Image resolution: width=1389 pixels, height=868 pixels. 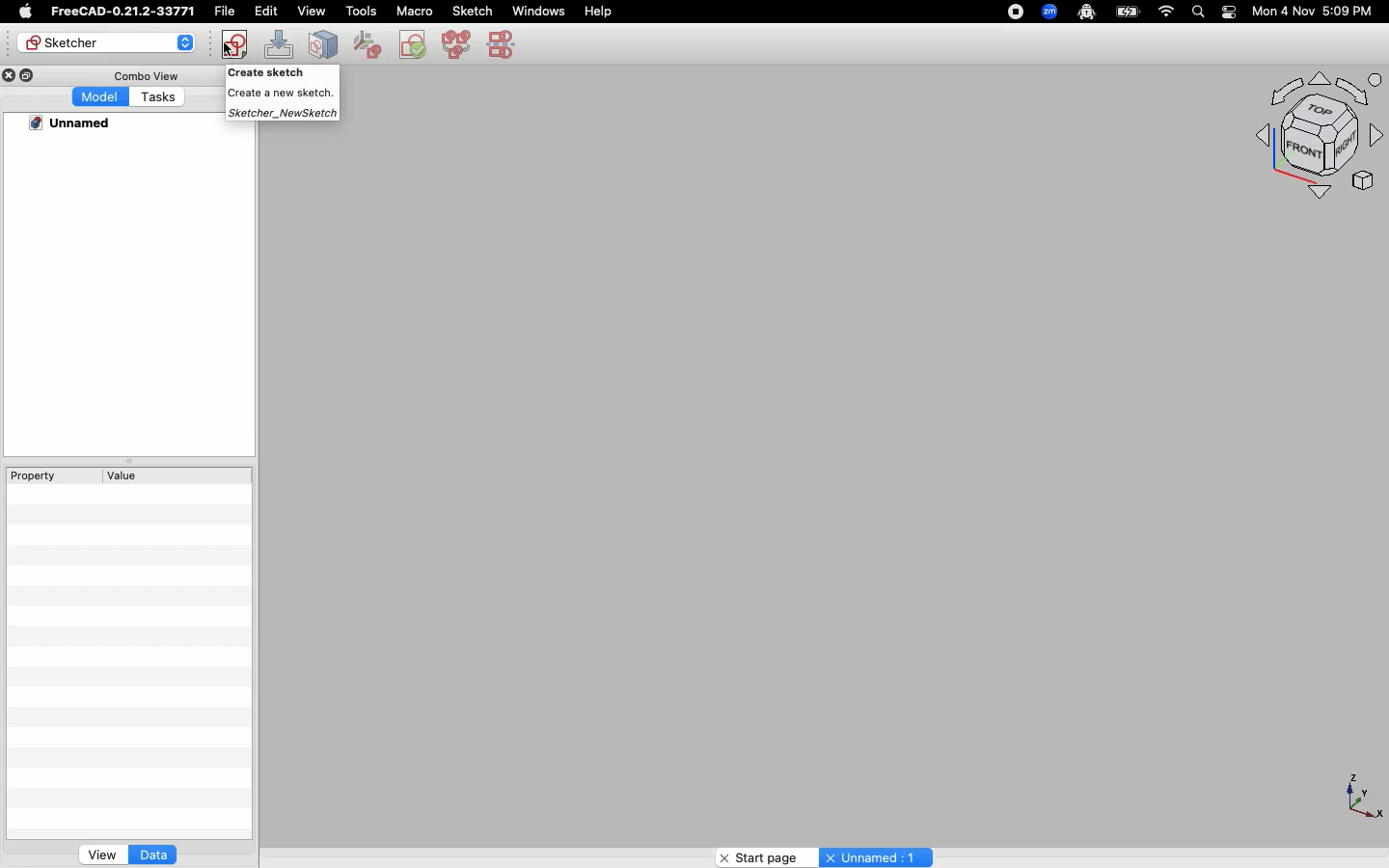 What do you see at coordinates (1129, 11) in the screenshot?
I see `Battery` at bounding box center [1129, 11].